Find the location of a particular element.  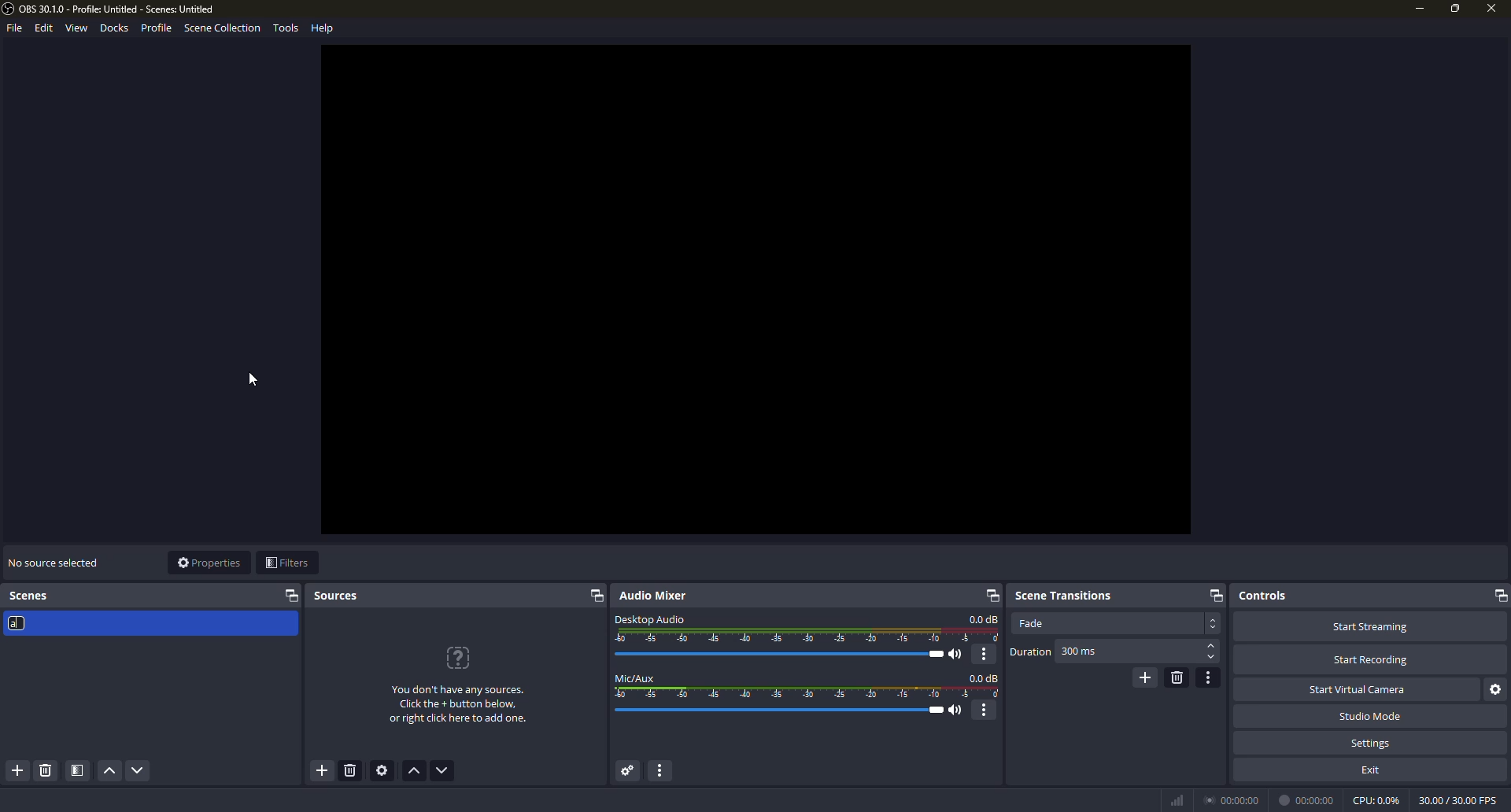

filters is located at coordinates (286, 563).